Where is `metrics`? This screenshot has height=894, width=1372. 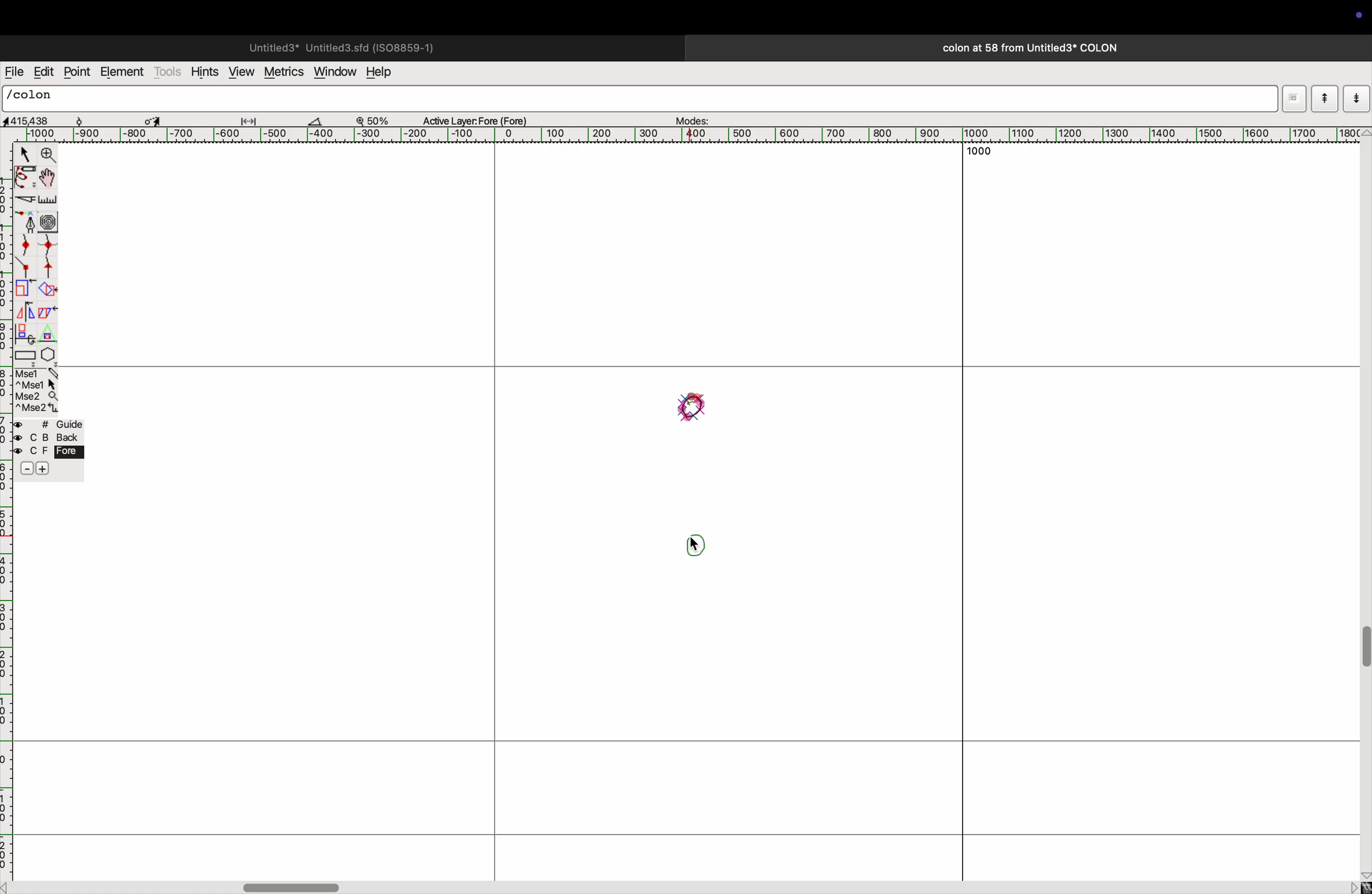 metrics is located at coordinates (282, 72).